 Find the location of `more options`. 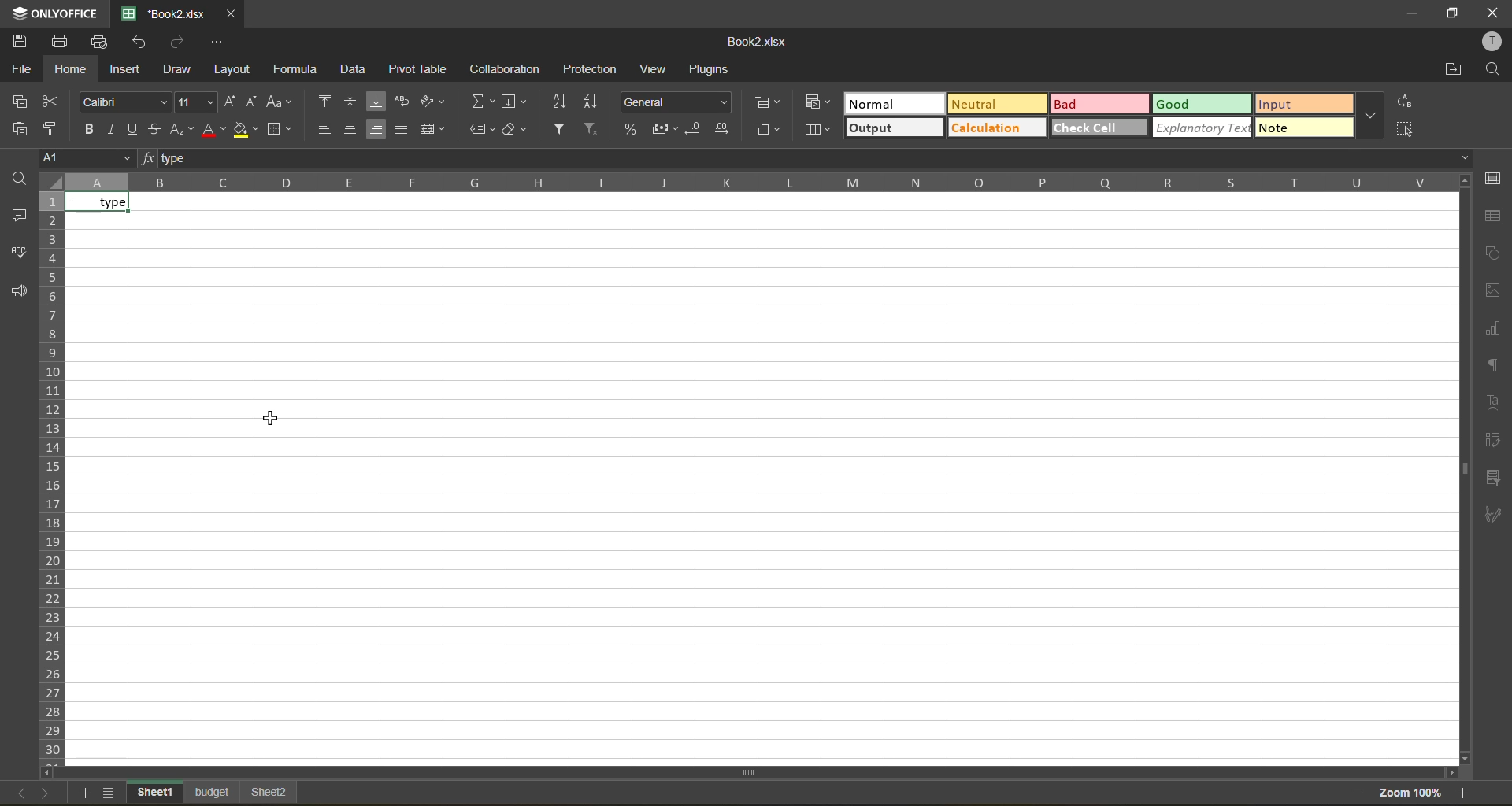

more options is located at coordinates (1369, 117).